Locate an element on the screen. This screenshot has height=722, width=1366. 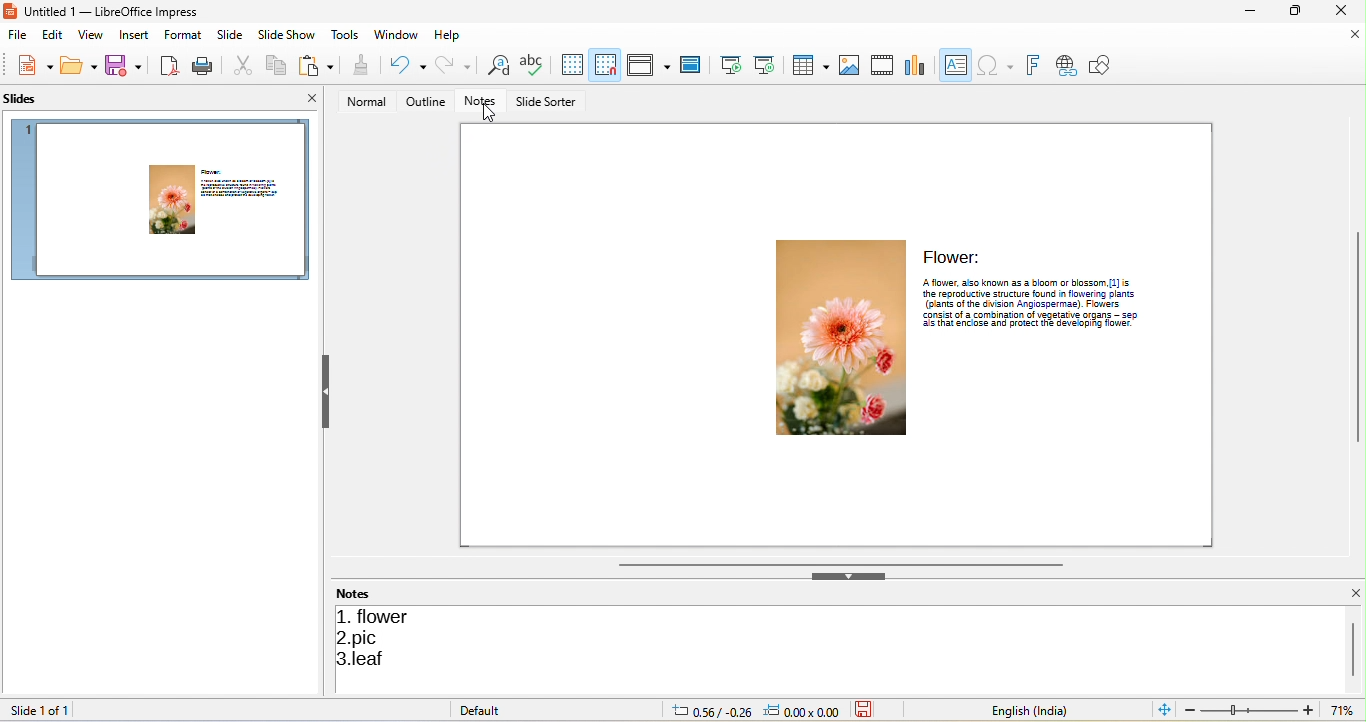
print is located at coordinates (204, 64).